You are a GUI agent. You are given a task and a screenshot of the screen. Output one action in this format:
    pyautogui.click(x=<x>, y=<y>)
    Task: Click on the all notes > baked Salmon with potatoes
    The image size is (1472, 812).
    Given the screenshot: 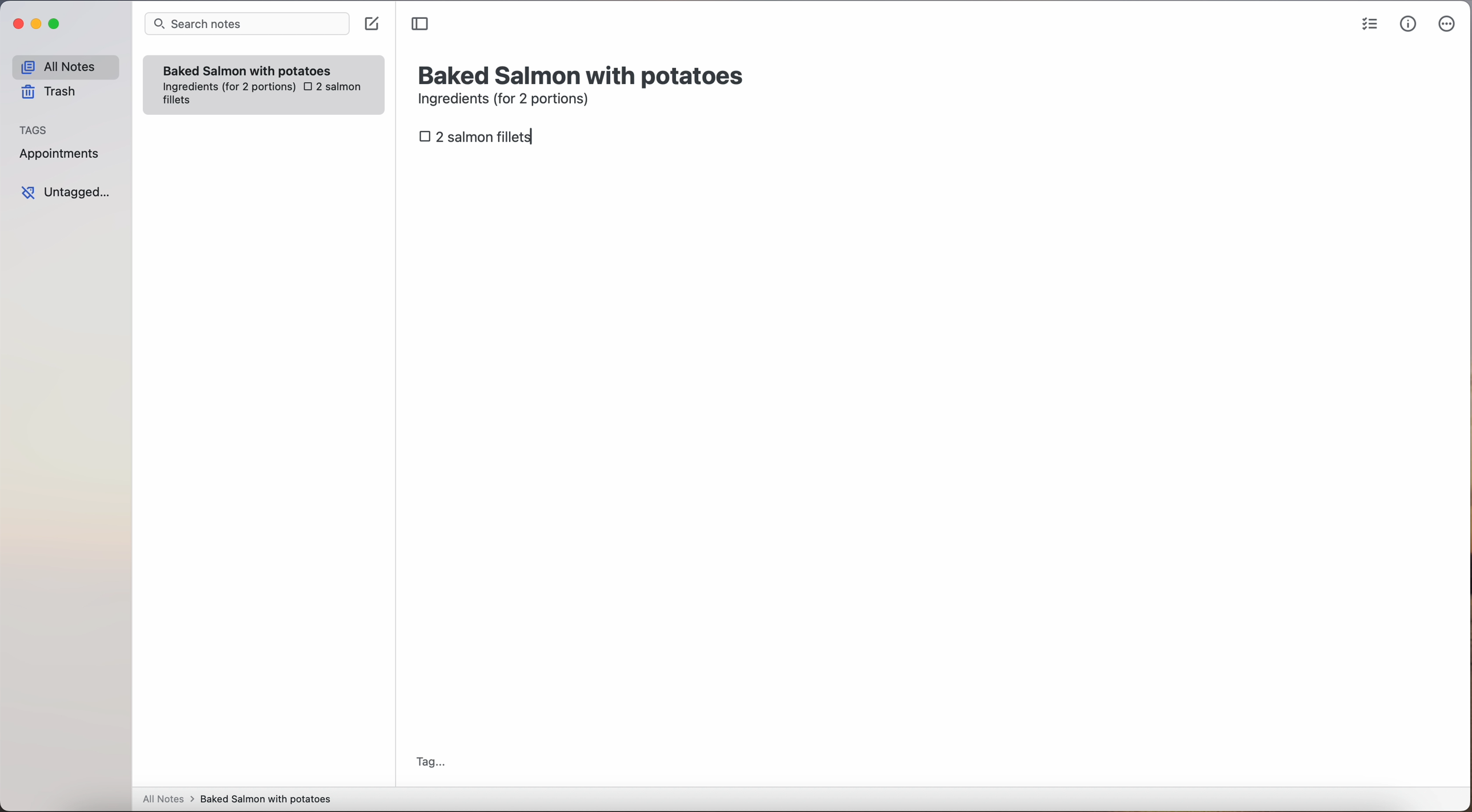 What is the action you would take?
    pyautogui.click(x=237, y=798)
    